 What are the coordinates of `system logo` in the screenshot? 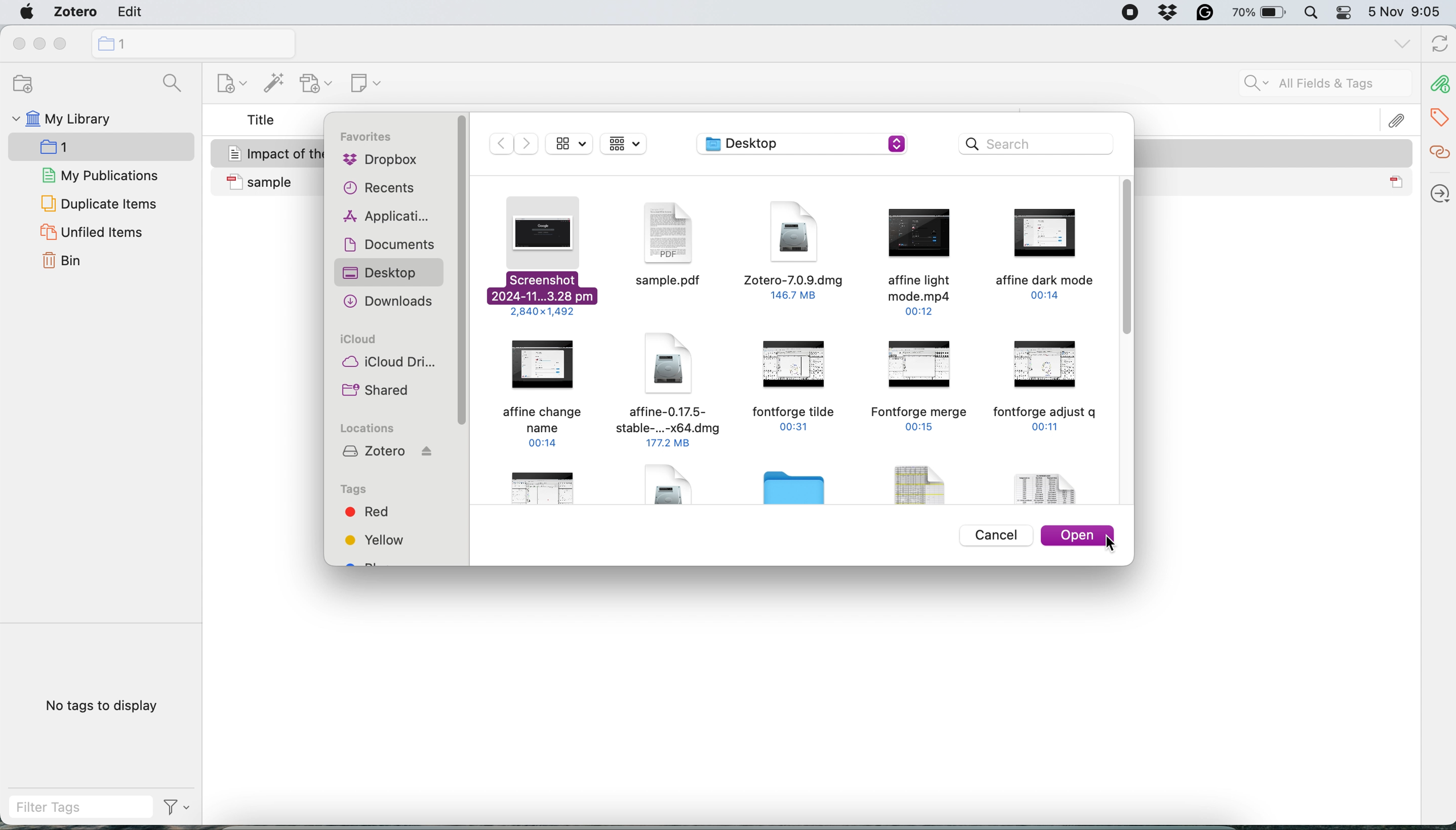 It's located at (27, 12).